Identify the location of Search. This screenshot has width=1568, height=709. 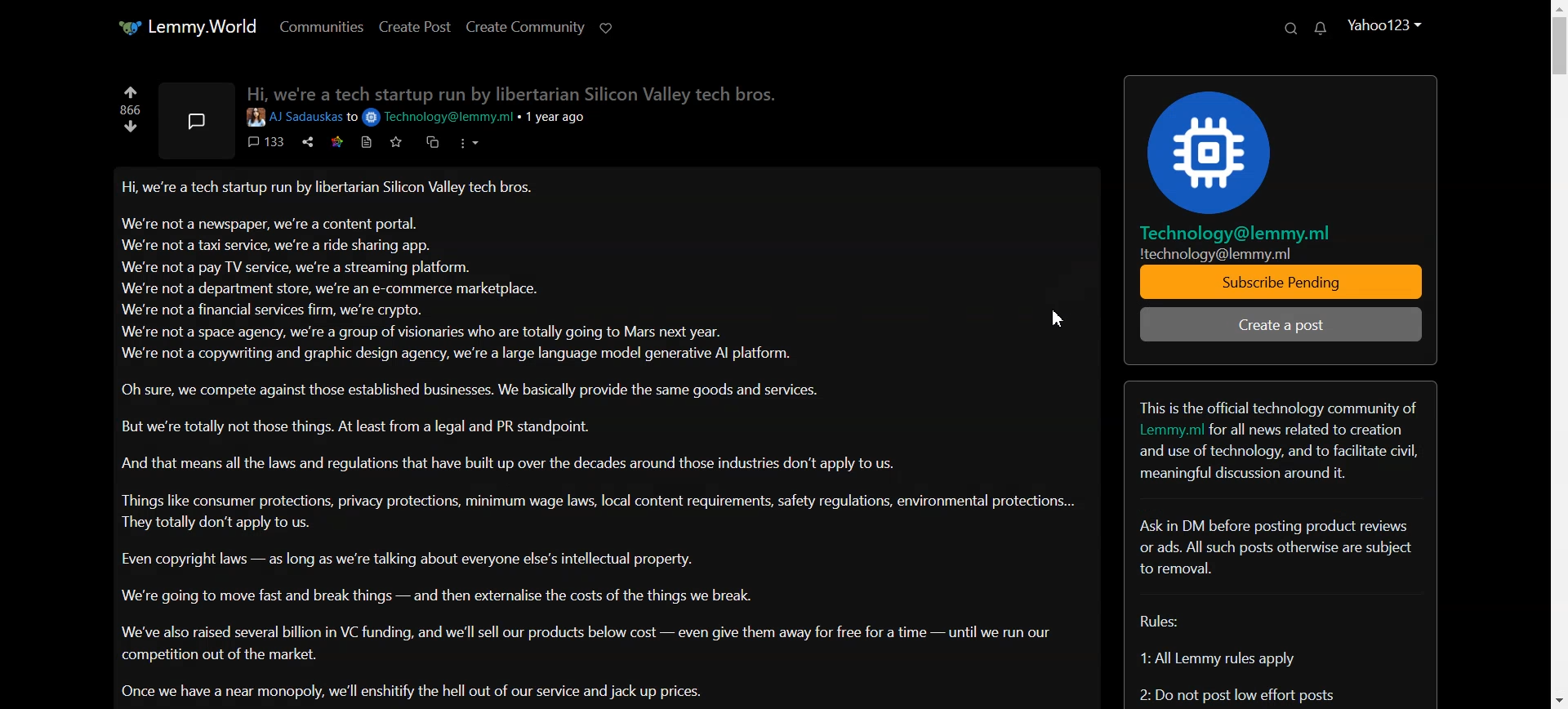
(1290, 29).